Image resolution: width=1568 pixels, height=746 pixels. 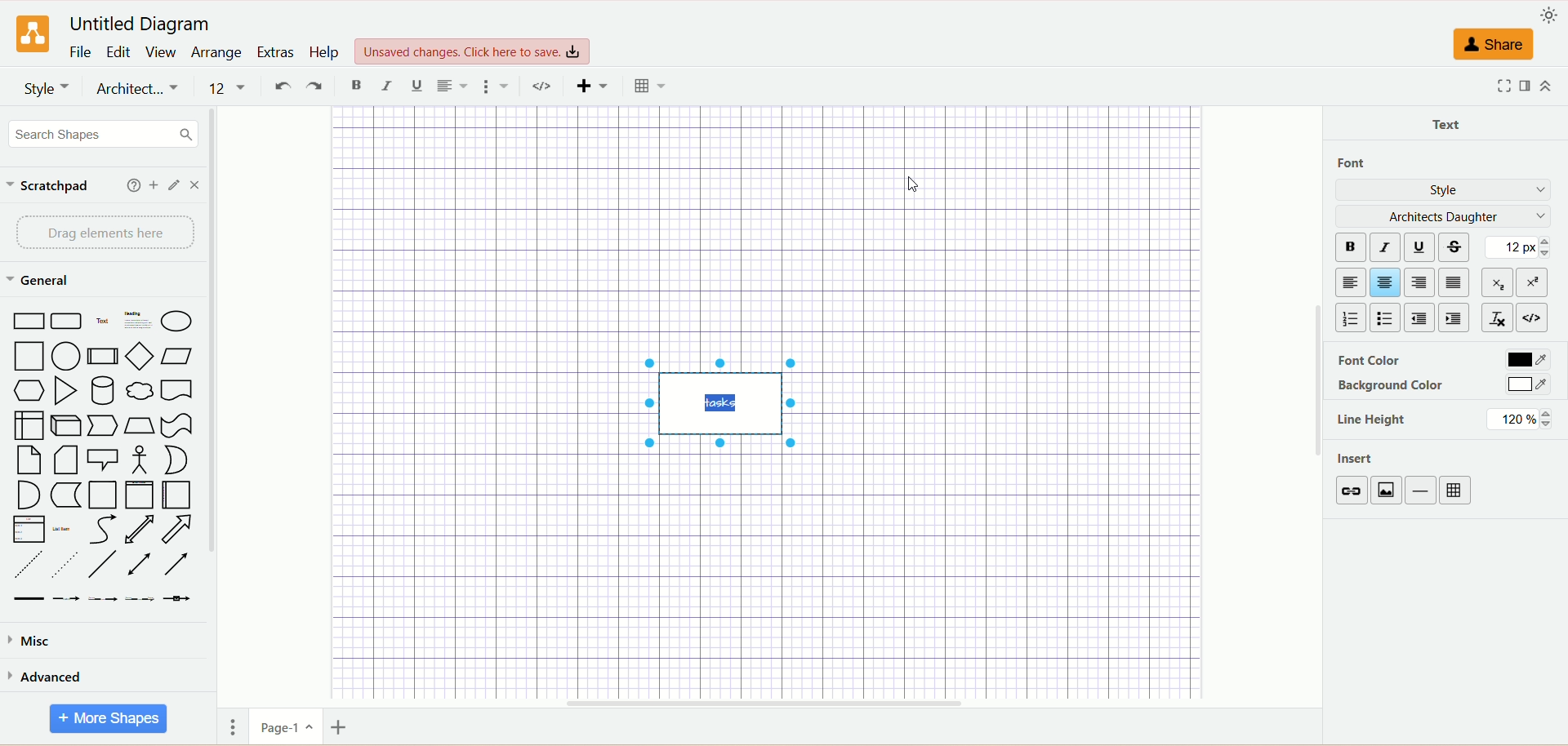 I want to click on right, so click(x=1420, y=283).